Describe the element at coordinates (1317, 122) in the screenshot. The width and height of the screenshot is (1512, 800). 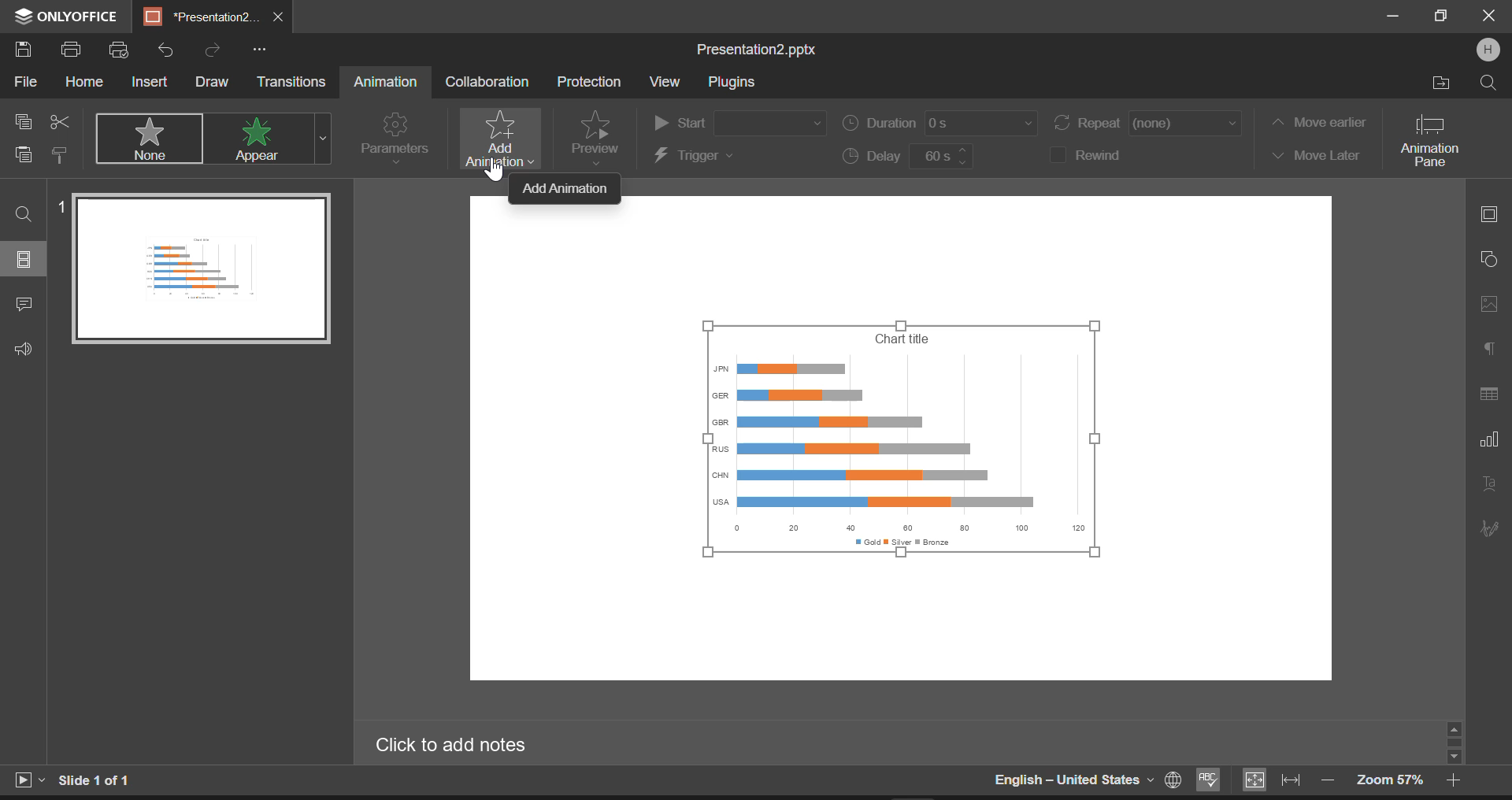
I see `Move earlier` at that location.